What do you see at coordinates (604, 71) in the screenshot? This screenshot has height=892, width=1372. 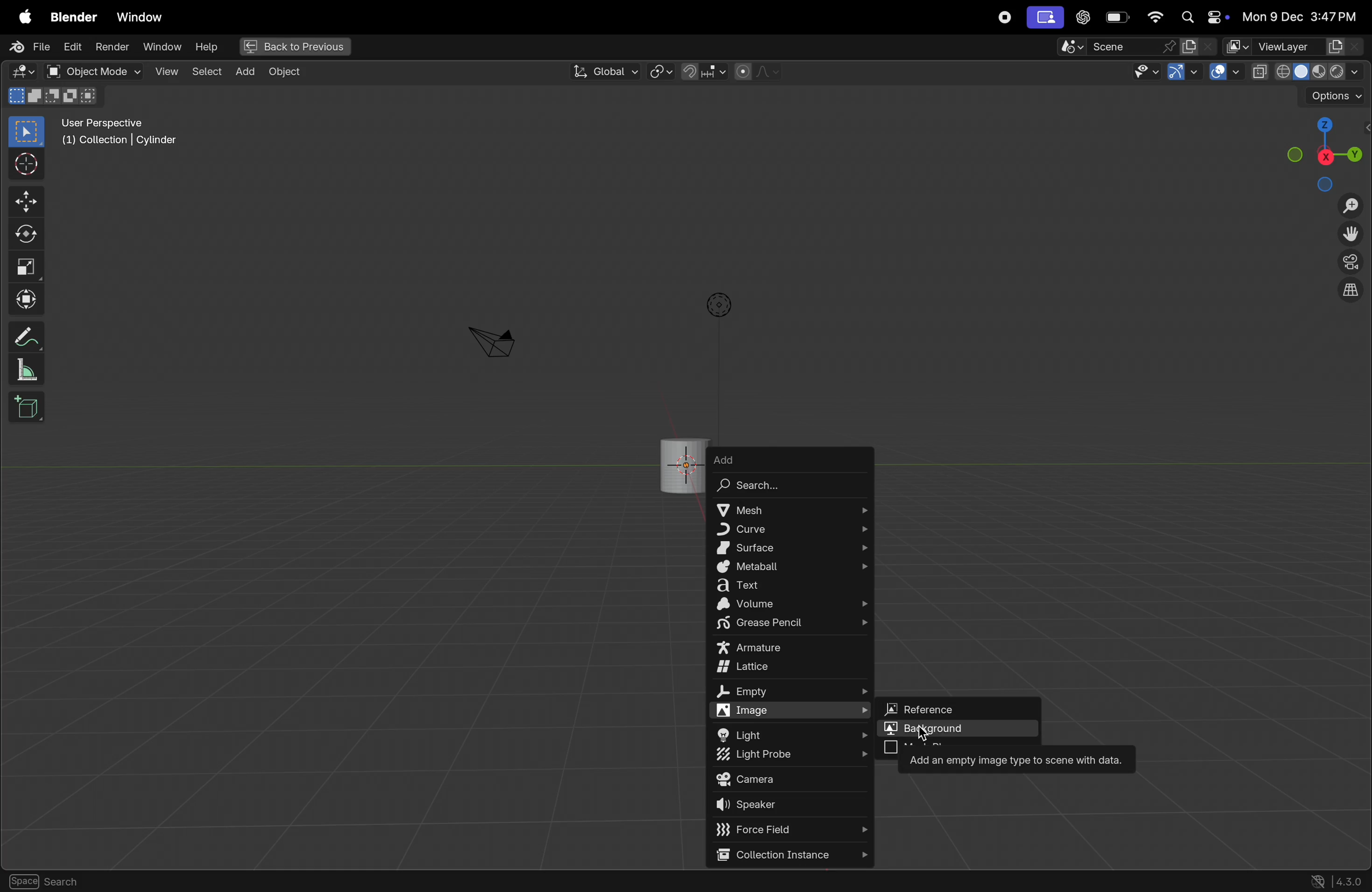 I see `global` at bounding box center [604, 71].